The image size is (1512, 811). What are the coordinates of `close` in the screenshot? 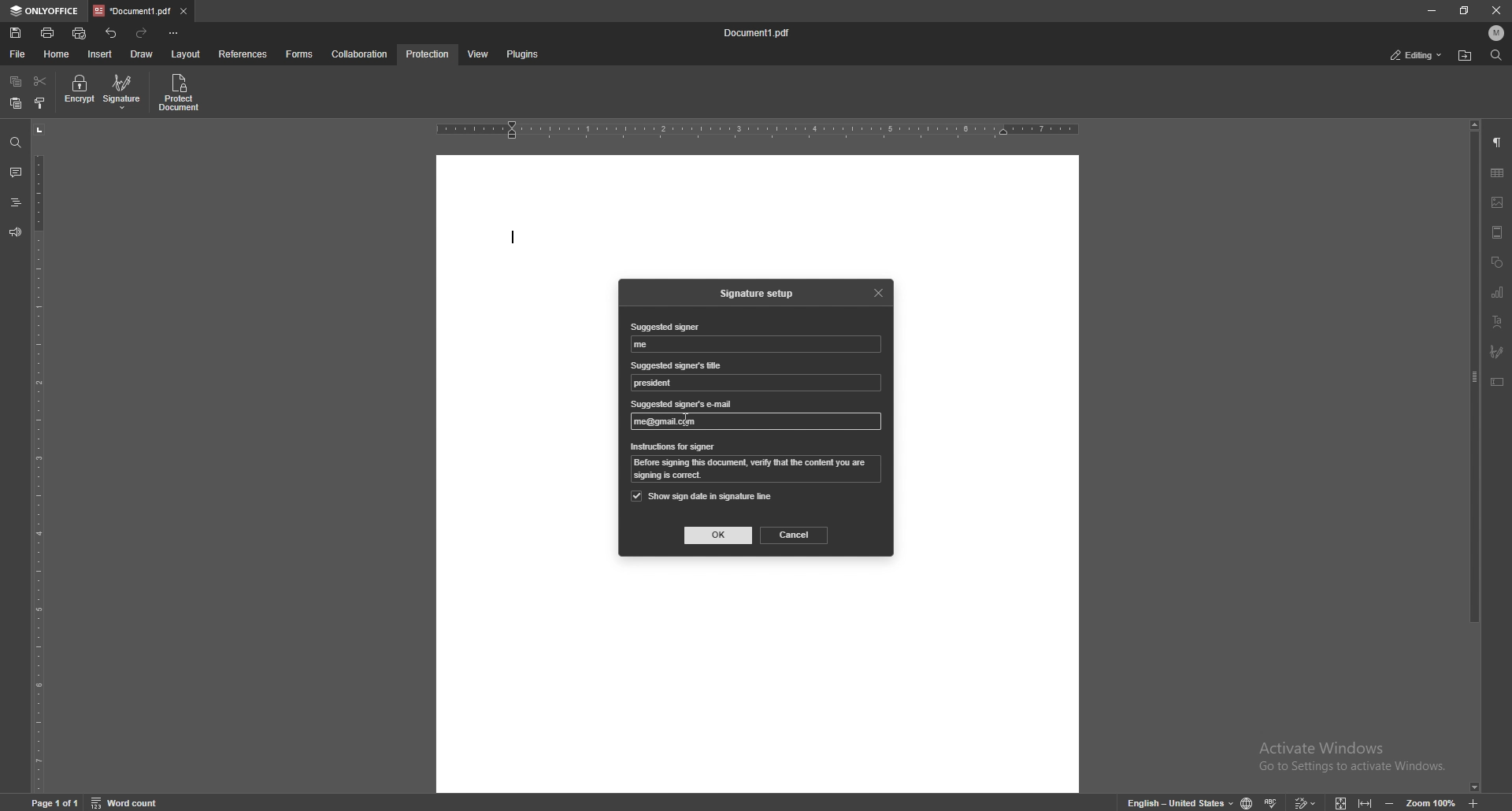 It's located at (1497, 12).